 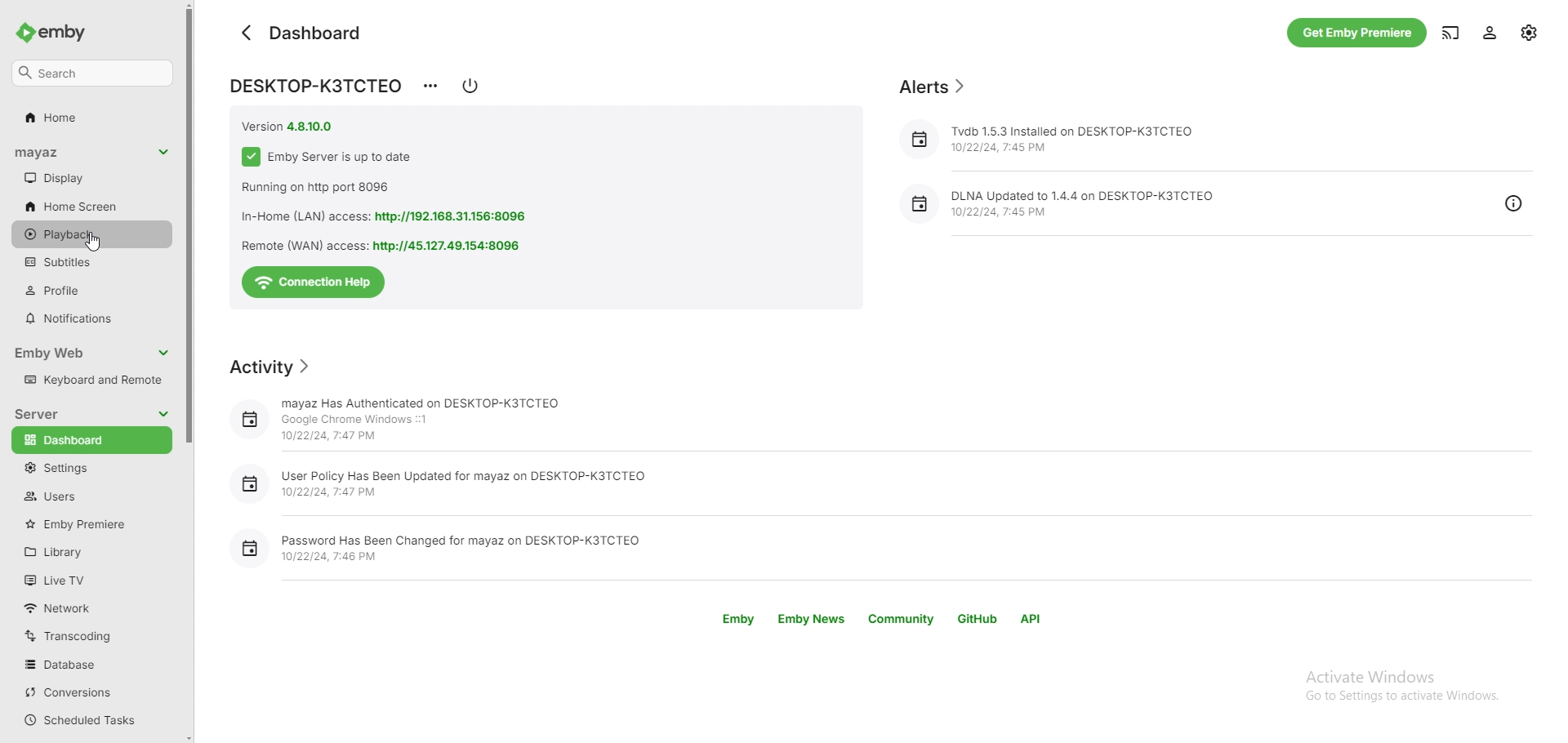 I want to click on keyboard and remote, so click(x=91, y=380).